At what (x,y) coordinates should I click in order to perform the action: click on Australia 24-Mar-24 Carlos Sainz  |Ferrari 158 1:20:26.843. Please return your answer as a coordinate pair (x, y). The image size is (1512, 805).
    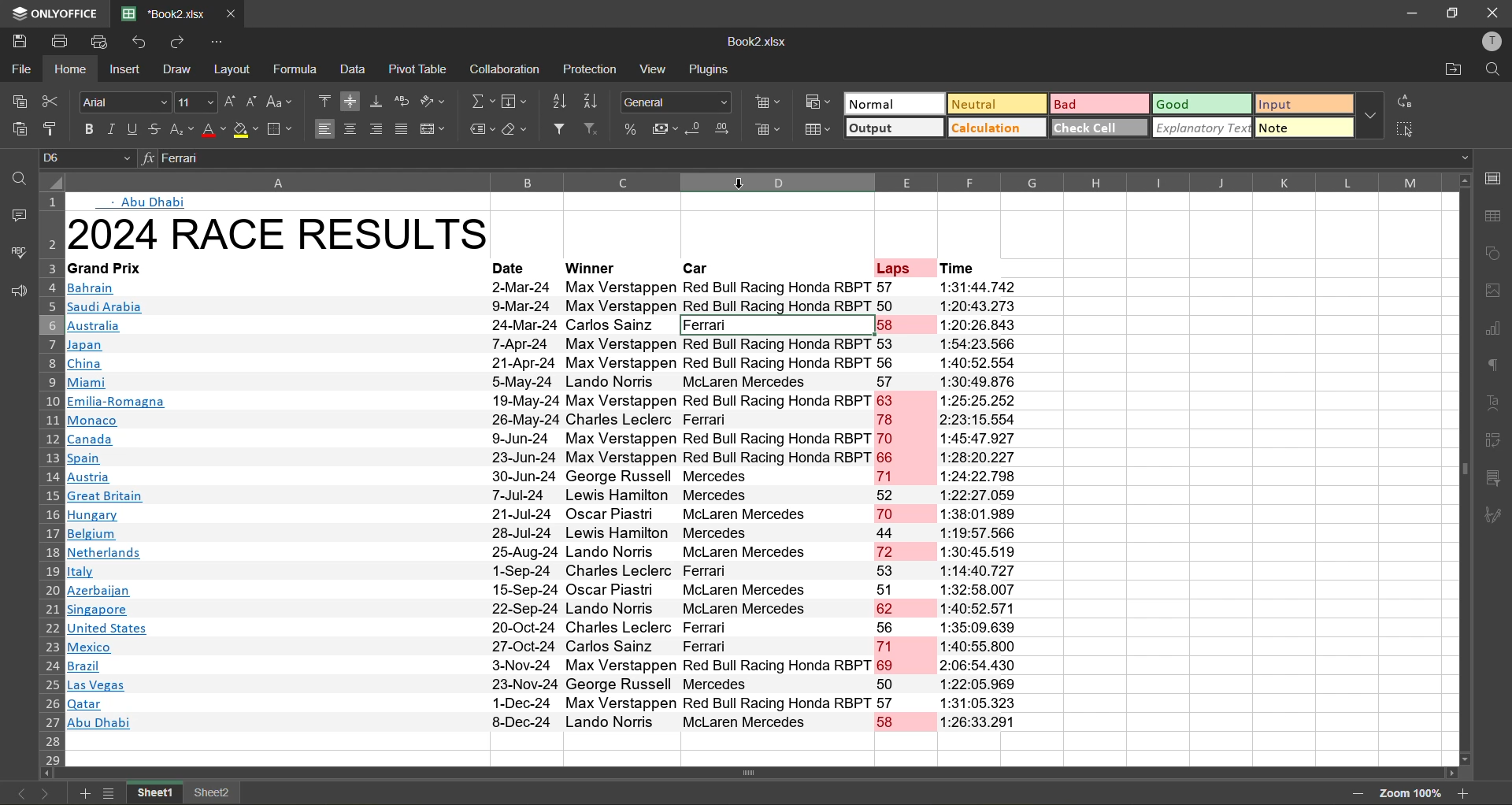
    Looking at the image, I should click on (543, 325).